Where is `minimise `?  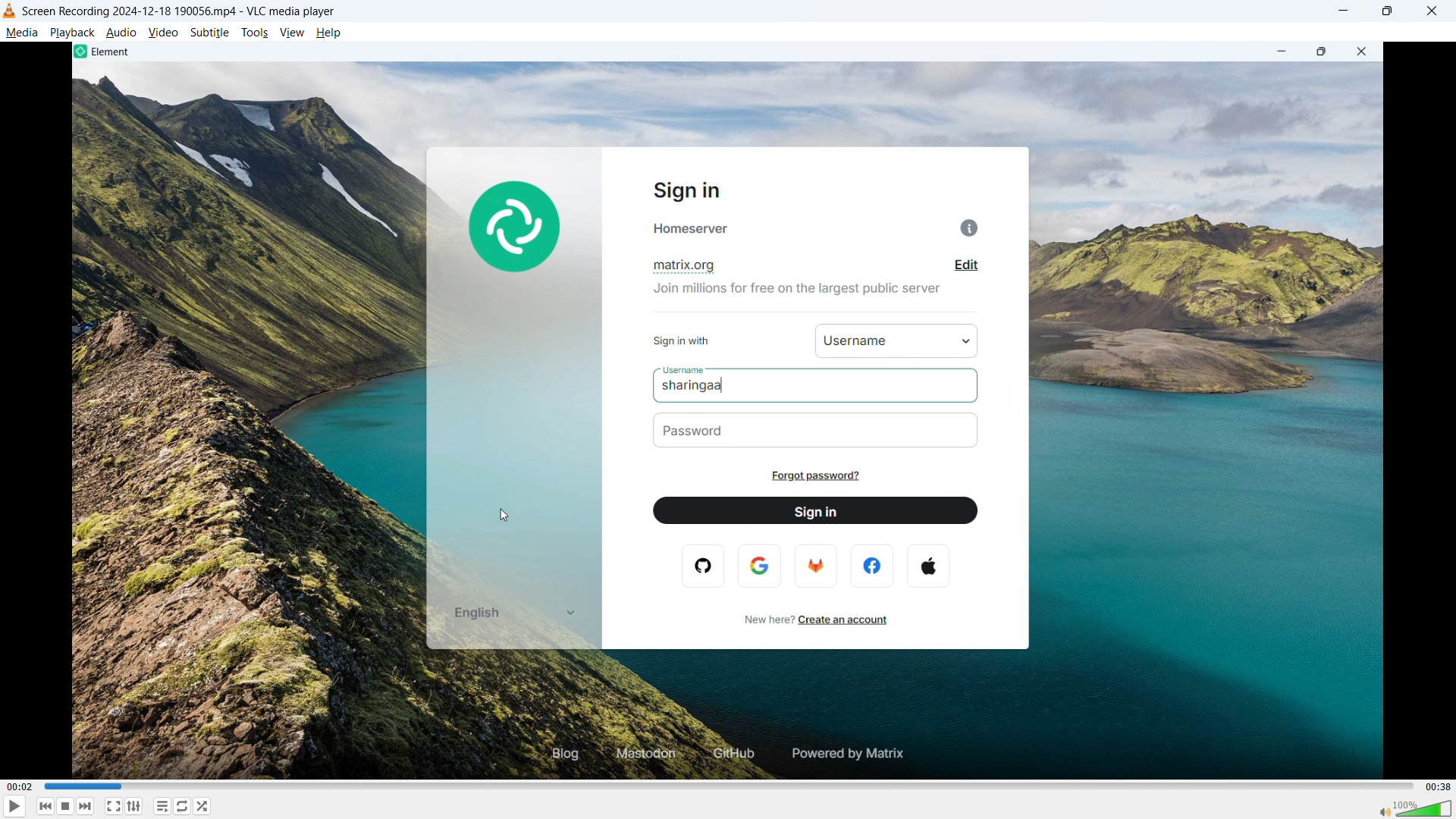
minimise  is located at coordinates (1344, 11).